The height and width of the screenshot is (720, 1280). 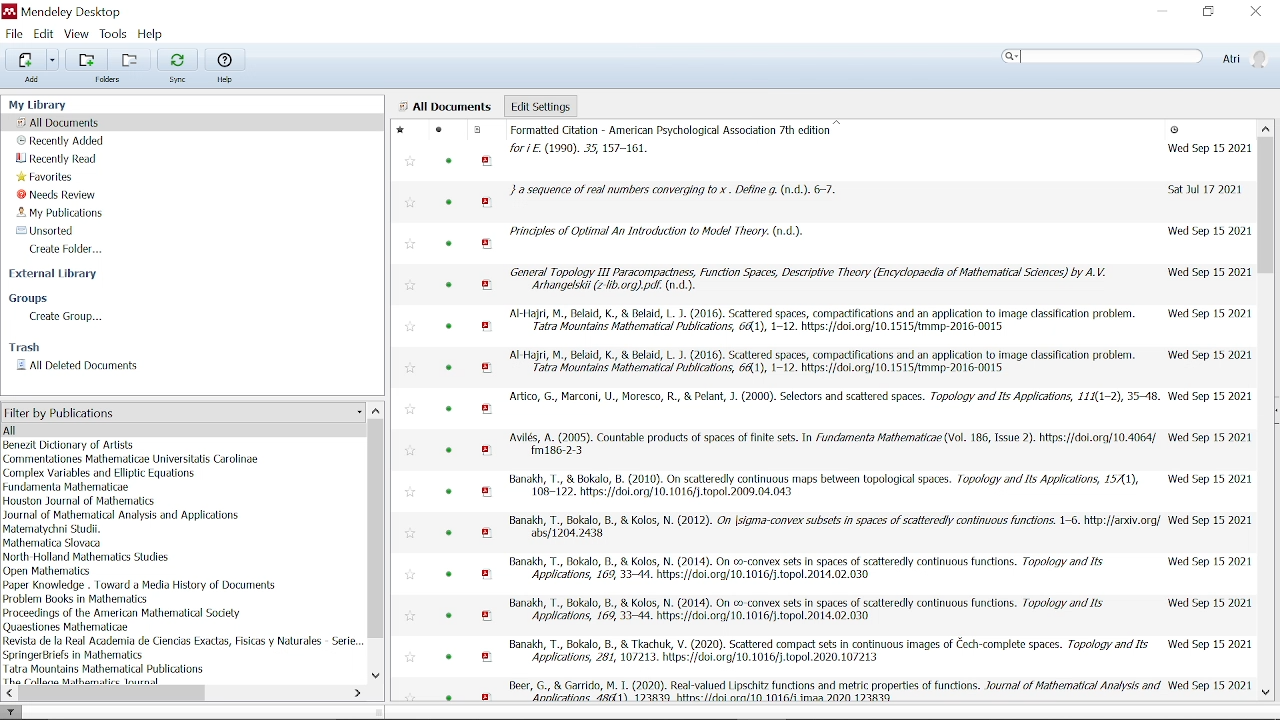 I want to click on Move down in filter by publication, so click(x=376, y=677).